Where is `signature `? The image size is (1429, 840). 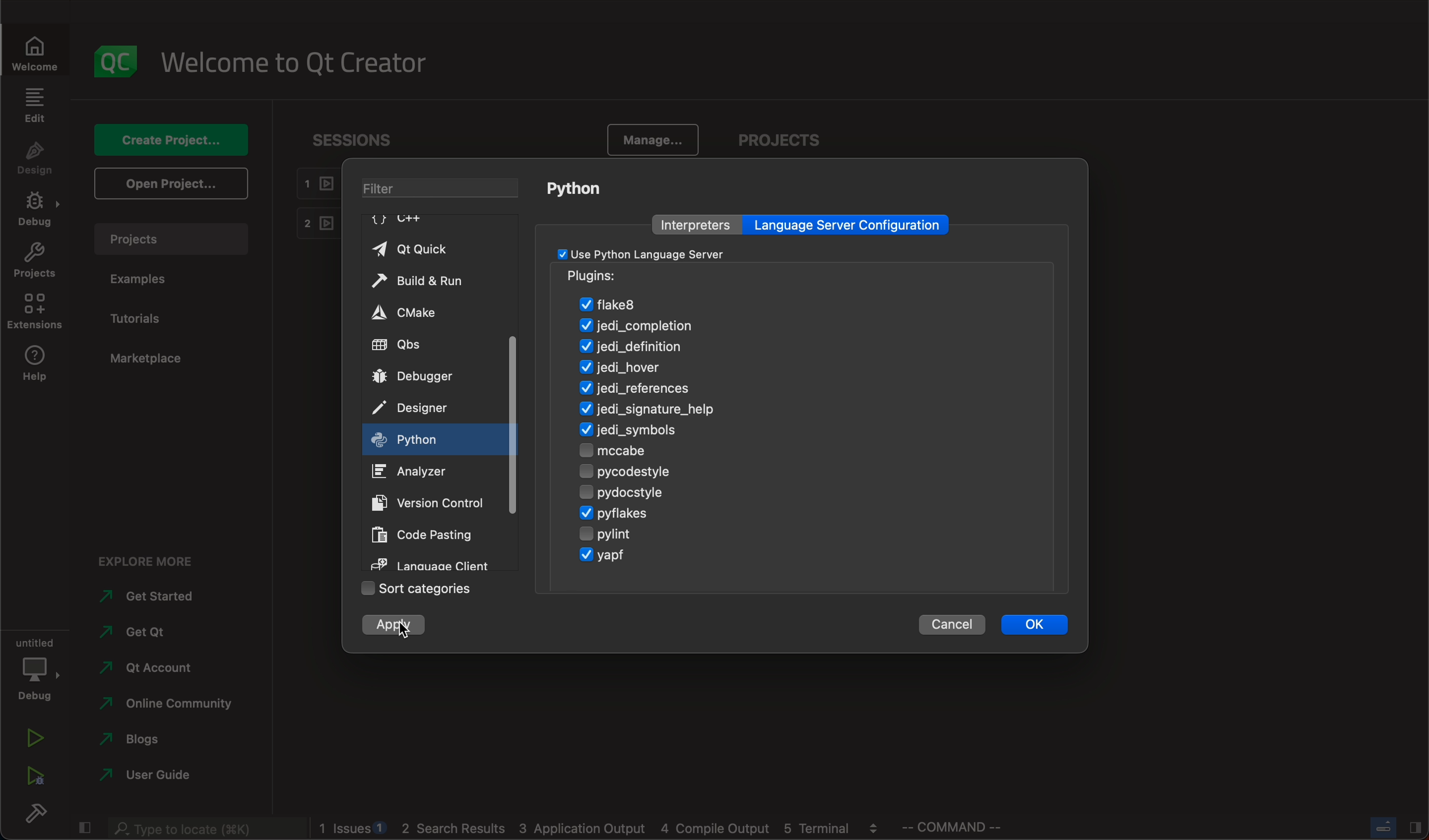 signature  is located at coordinates (657, 411).